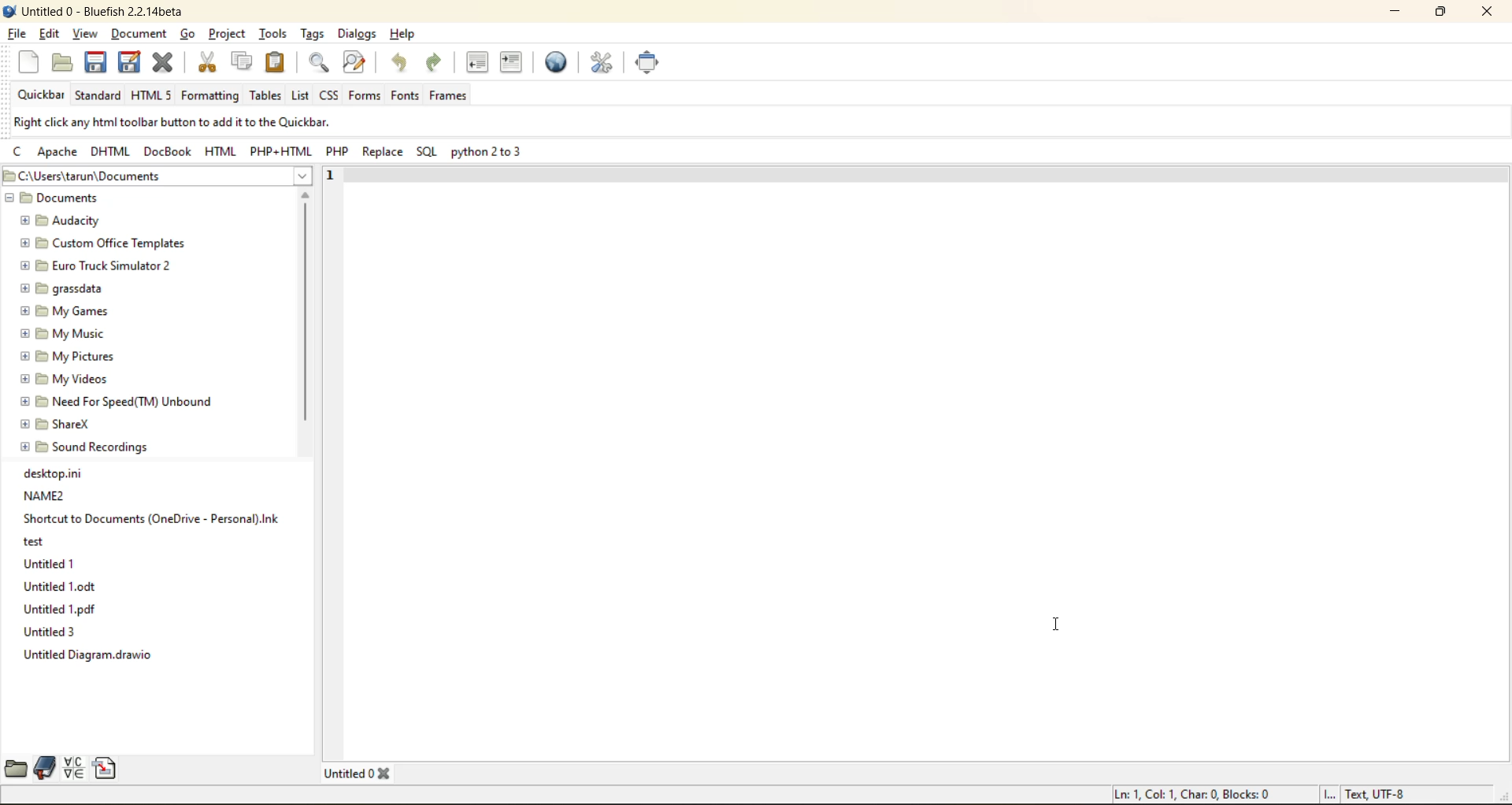 This screenshot has width=1512, height=805. Describe the element at coordinates (164, 63) in the screenshot. I see `close file` at that location.